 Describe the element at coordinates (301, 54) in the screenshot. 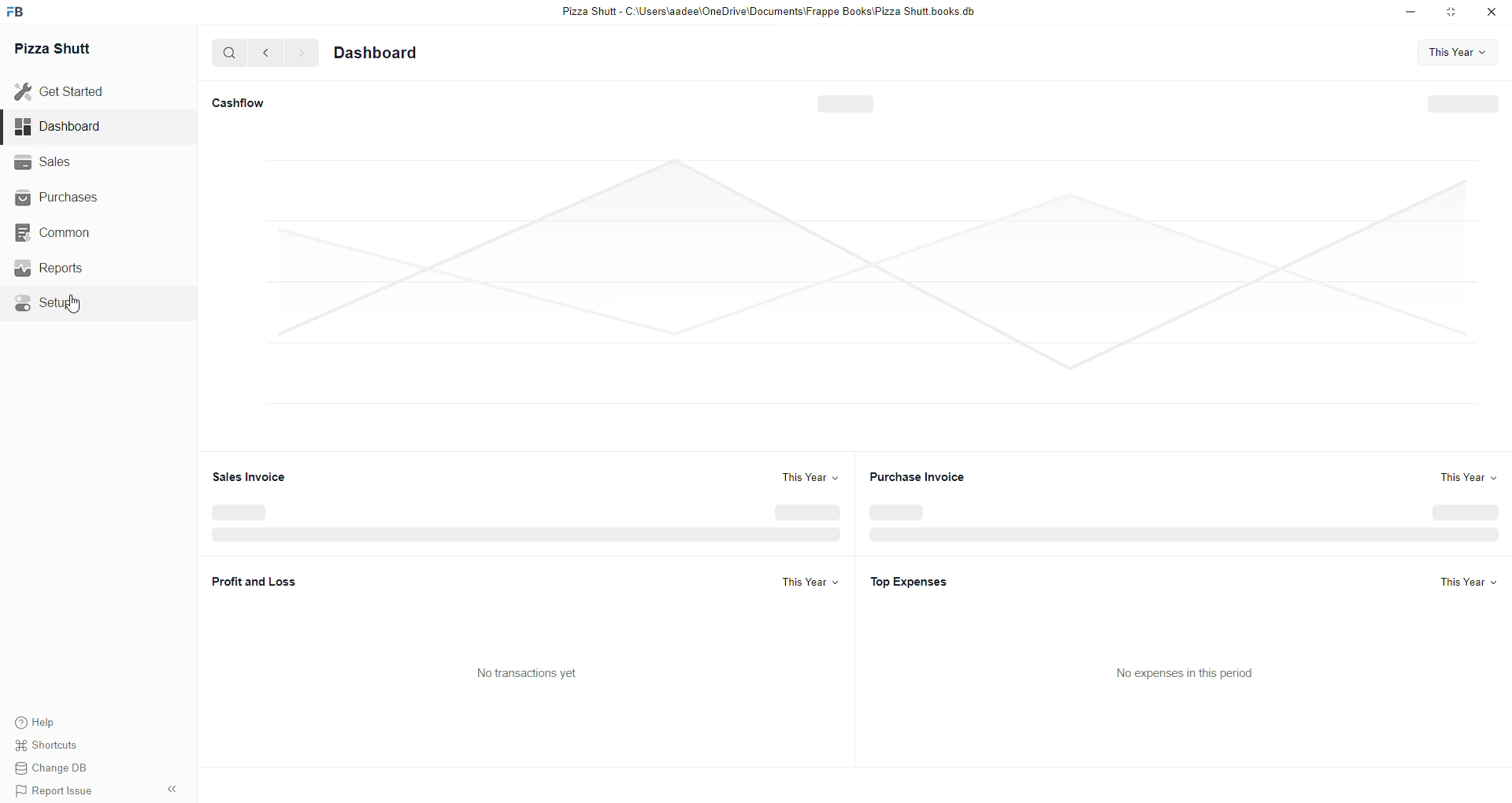

I see `go forward ` at that location.